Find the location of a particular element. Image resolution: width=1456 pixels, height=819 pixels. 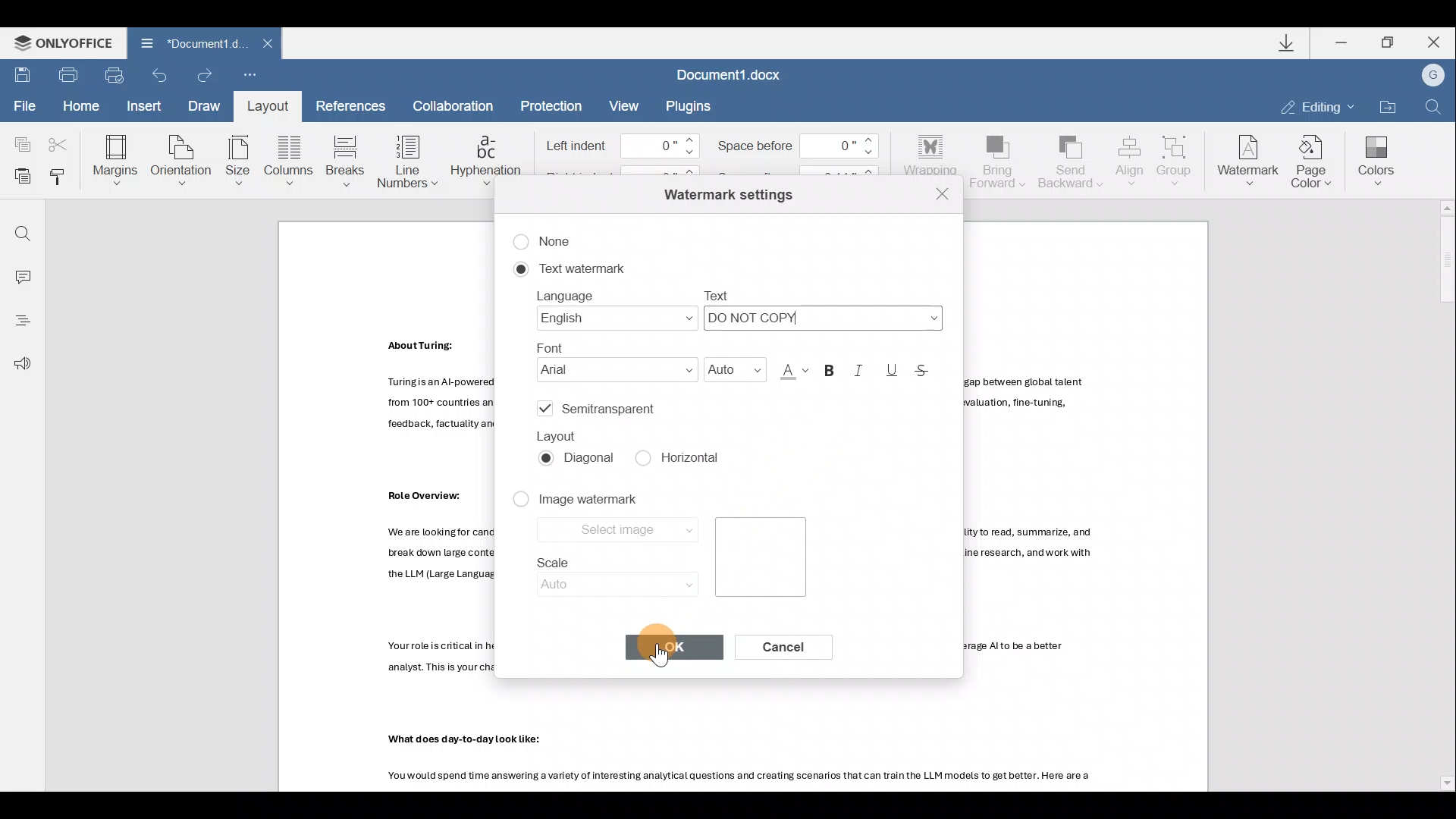

Align is located at coordinates (1130, 162).